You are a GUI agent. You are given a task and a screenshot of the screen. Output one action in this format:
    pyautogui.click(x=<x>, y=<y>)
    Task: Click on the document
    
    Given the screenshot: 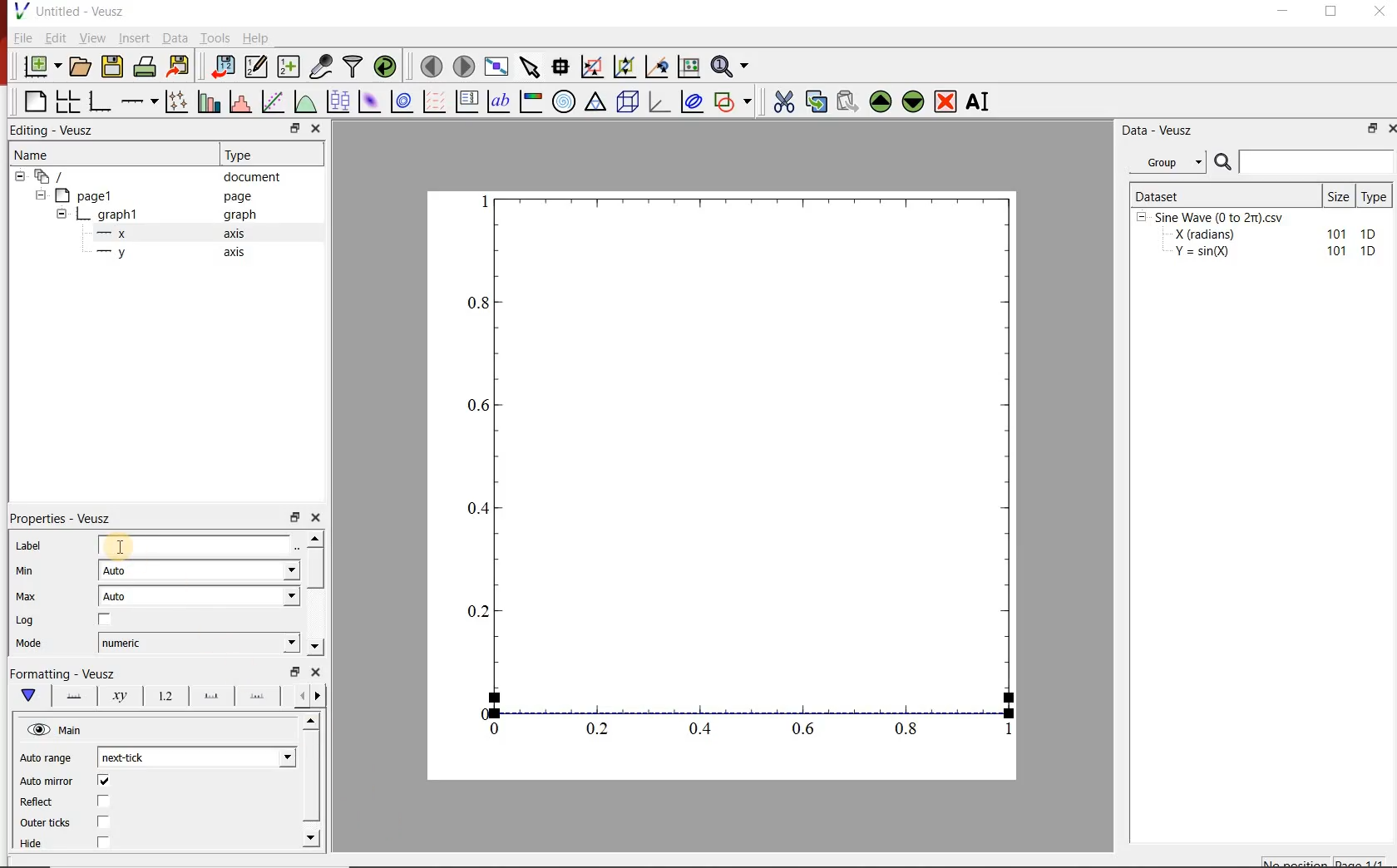 What is the action you would take?
    pyautogui.click(x=253, y=177)
    